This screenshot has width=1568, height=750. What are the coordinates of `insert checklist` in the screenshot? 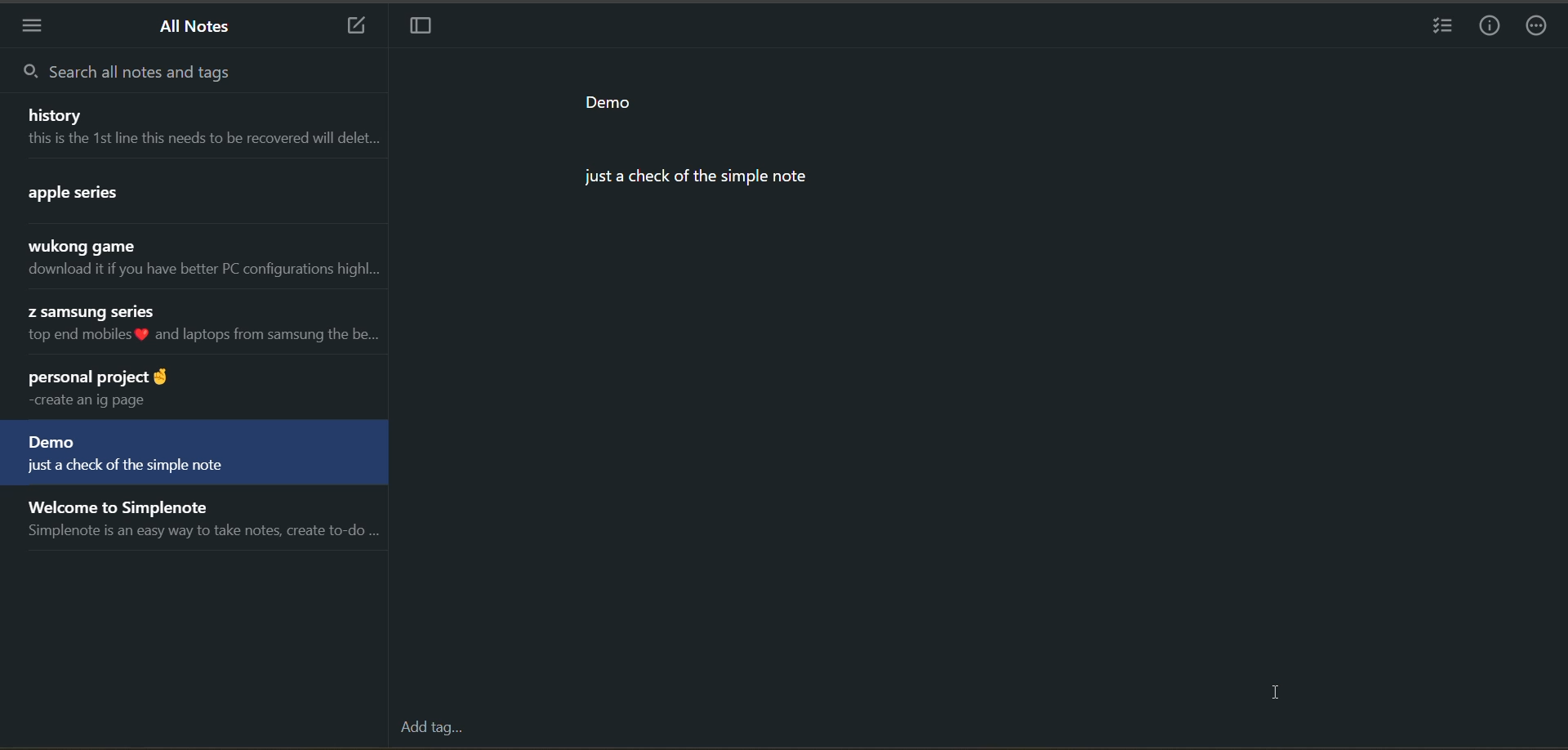 It's located at (1445, 28).